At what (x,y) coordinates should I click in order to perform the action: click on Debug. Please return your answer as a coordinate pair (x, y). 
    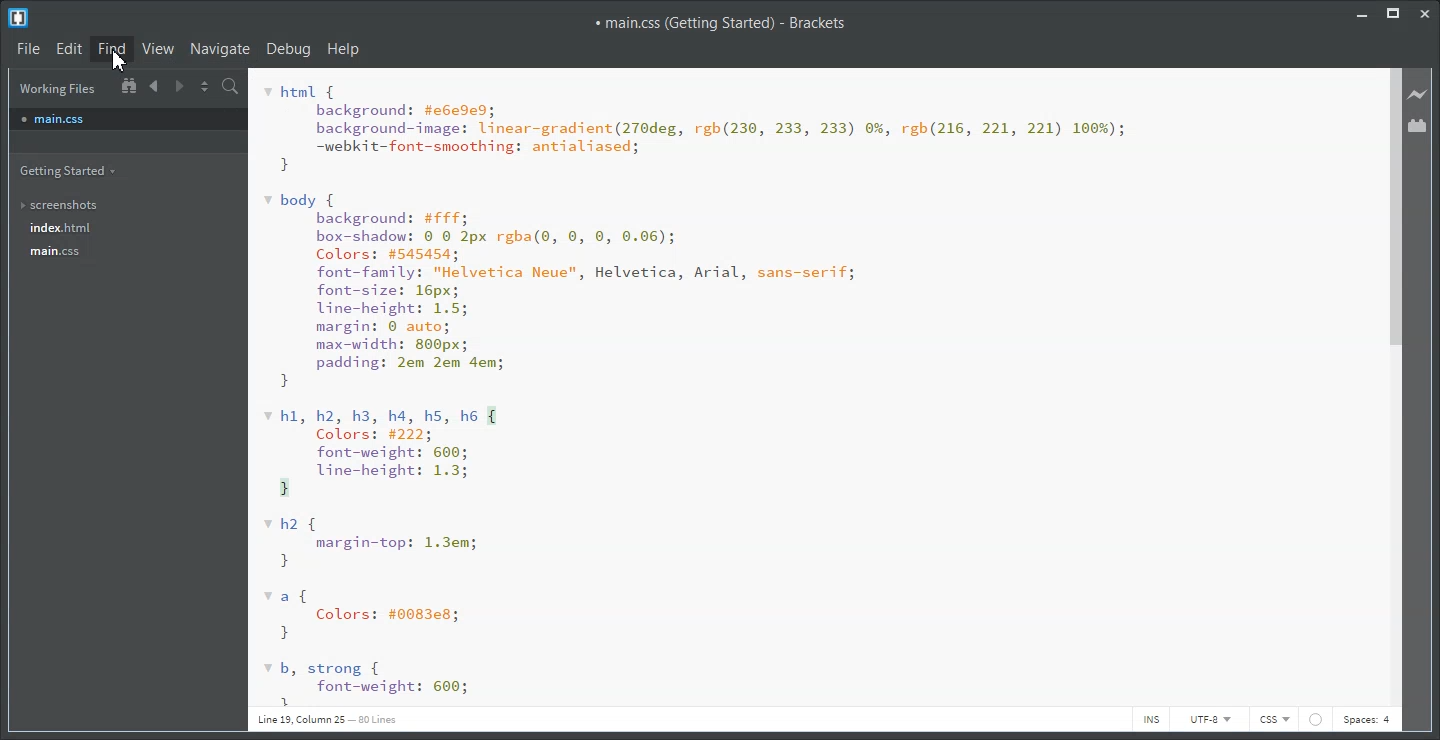
    Looking at the image, I should click on (289, 48).